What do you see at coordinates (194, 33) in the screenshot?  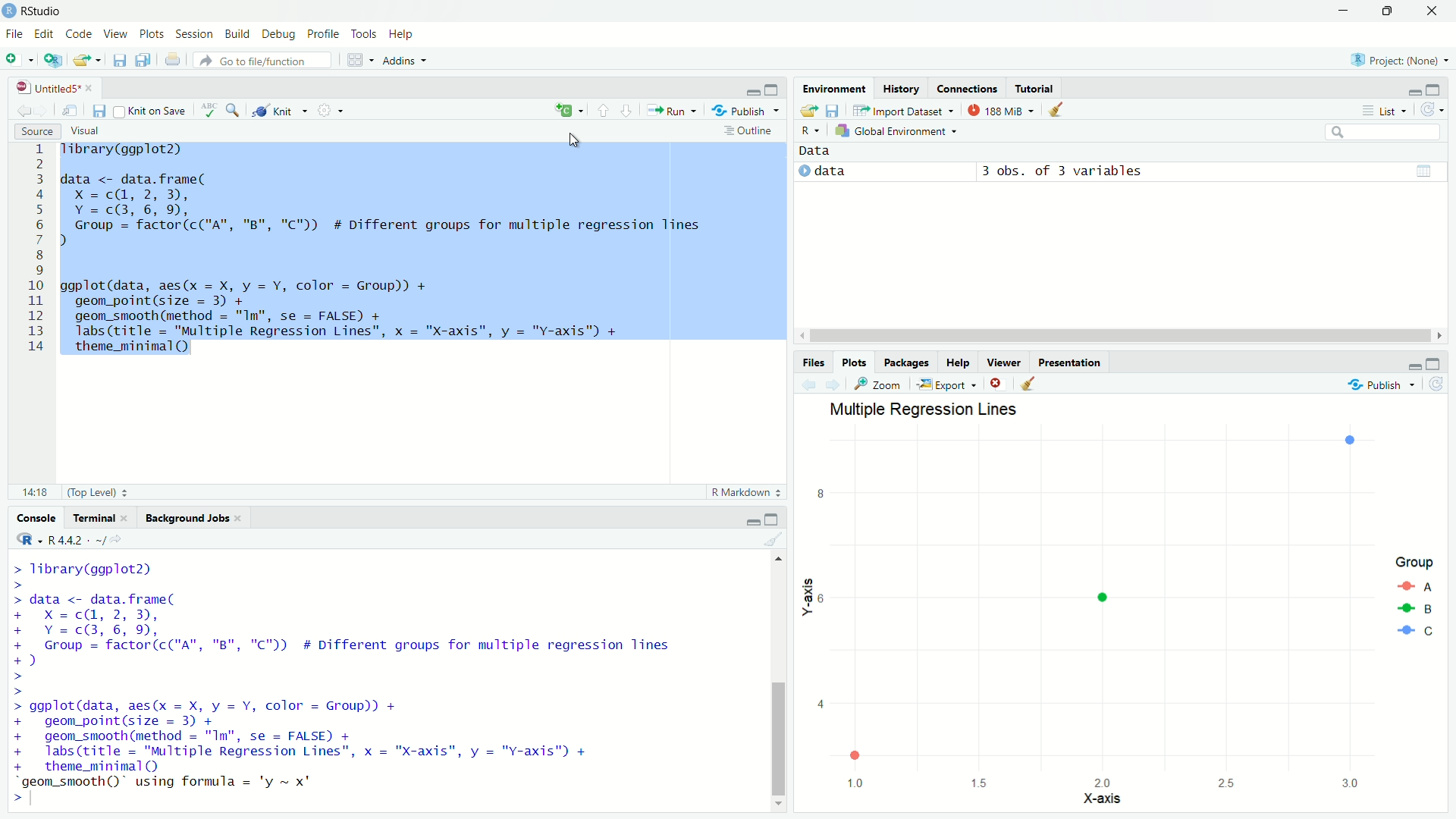 I see `Session` at bounding box center [194, 33].